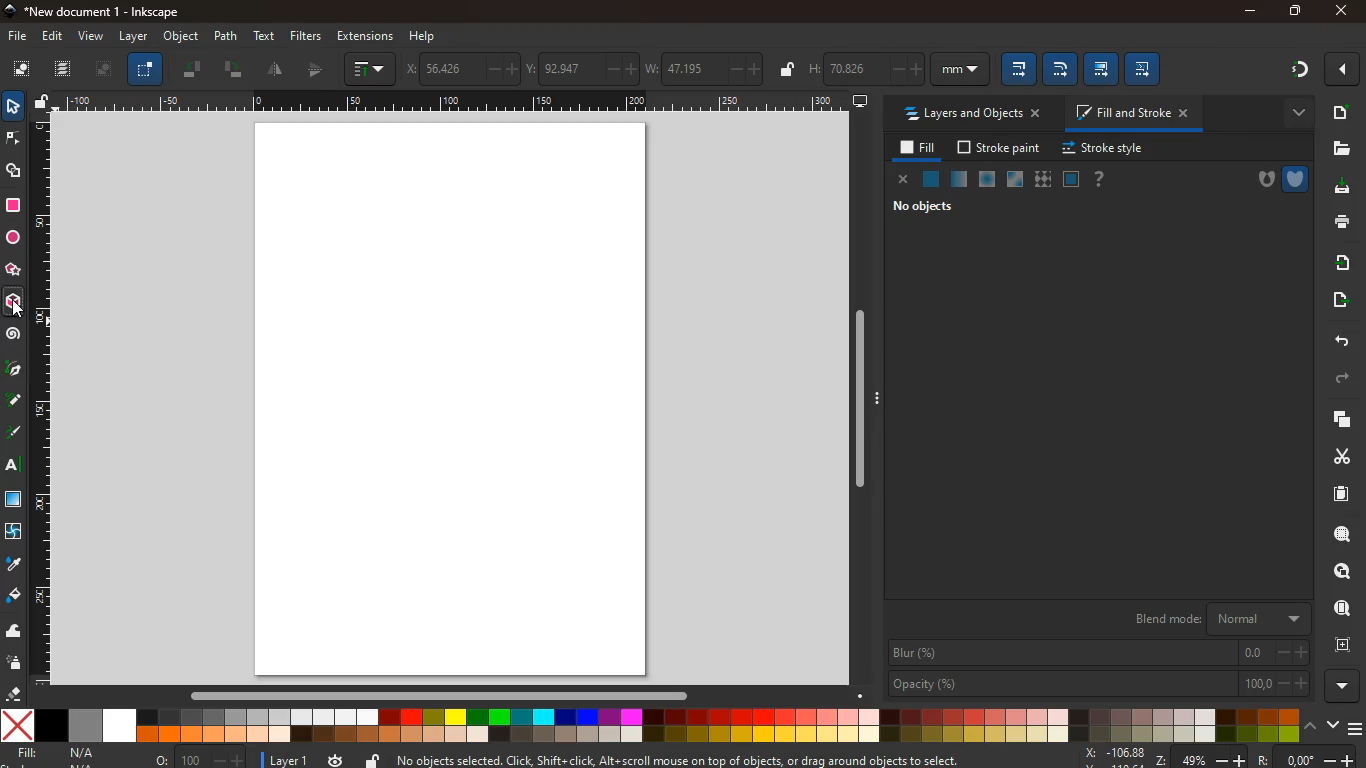 This screenshot has height=768, width=1366. What do you see at coordinates (43, 400) in the screenshot?
I see `Scale` at bounding box center [43, 400].